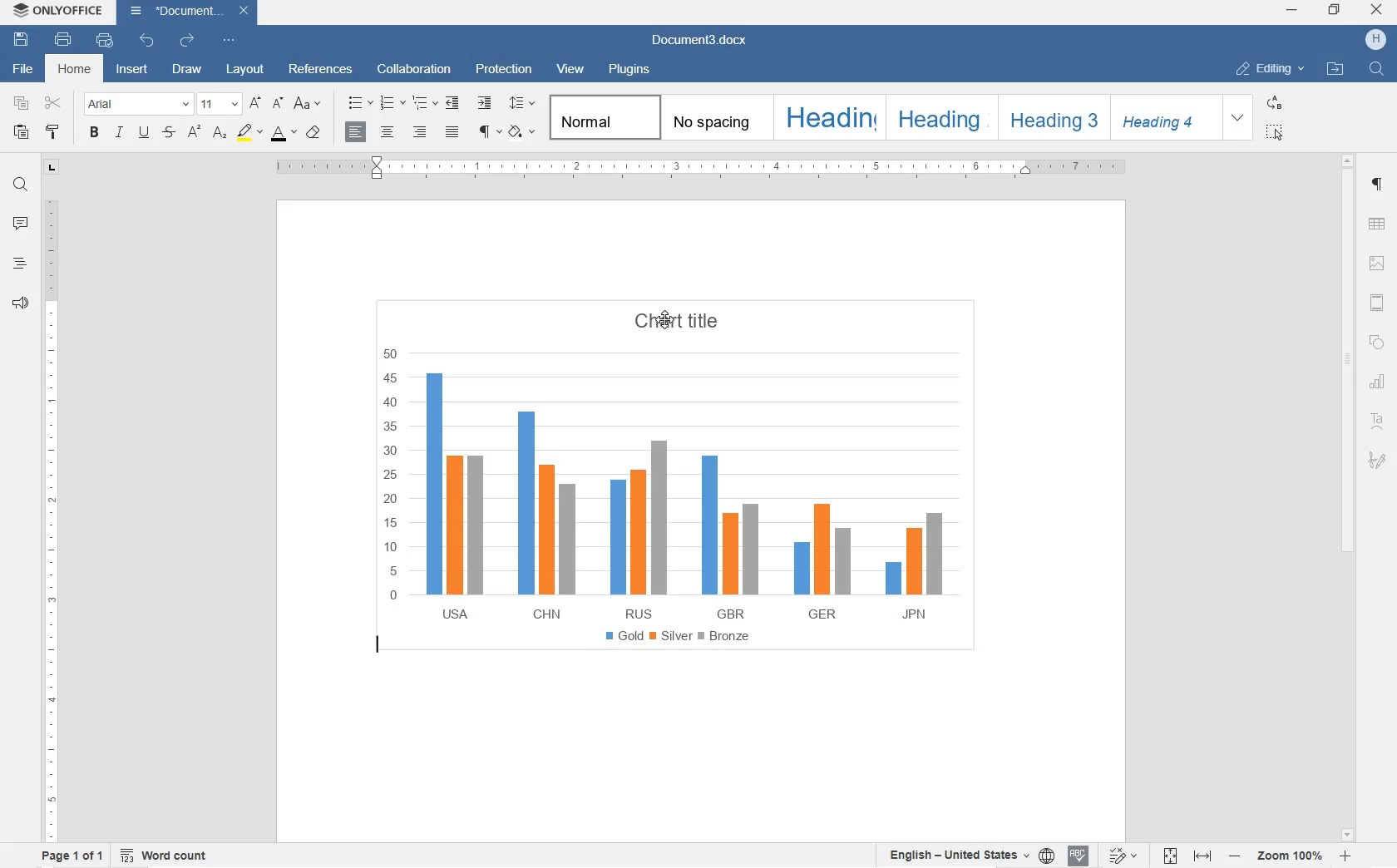 The image size is (1397, 868). I want to click on ALIGN RIGHT, so click(420, 132).